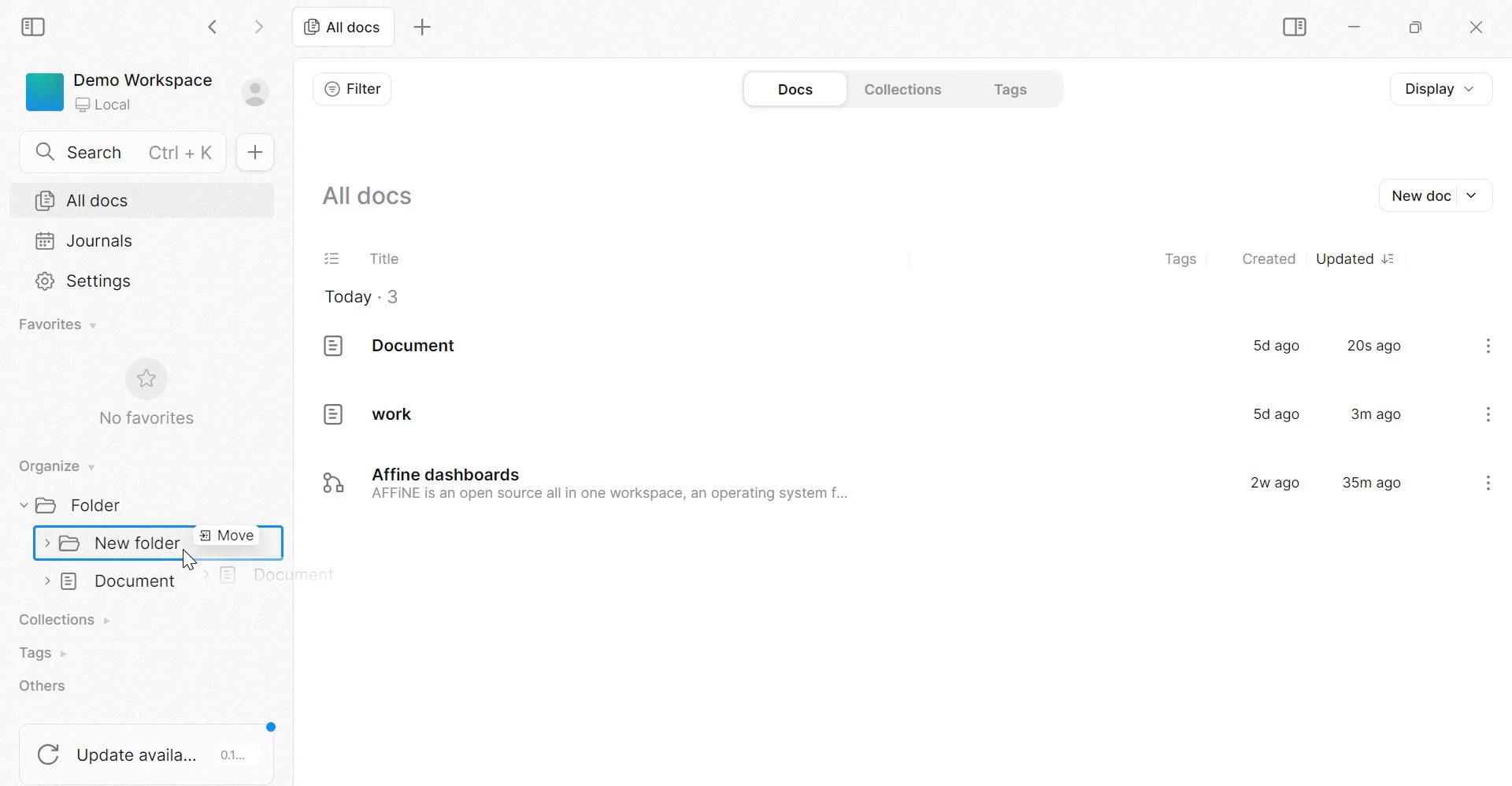 The height and width of the screenshot is (786, 1512). What do you see at coordinates (46, 580) in the screenshot?
I see `collapse/expand` at bounding box center [46, 580].